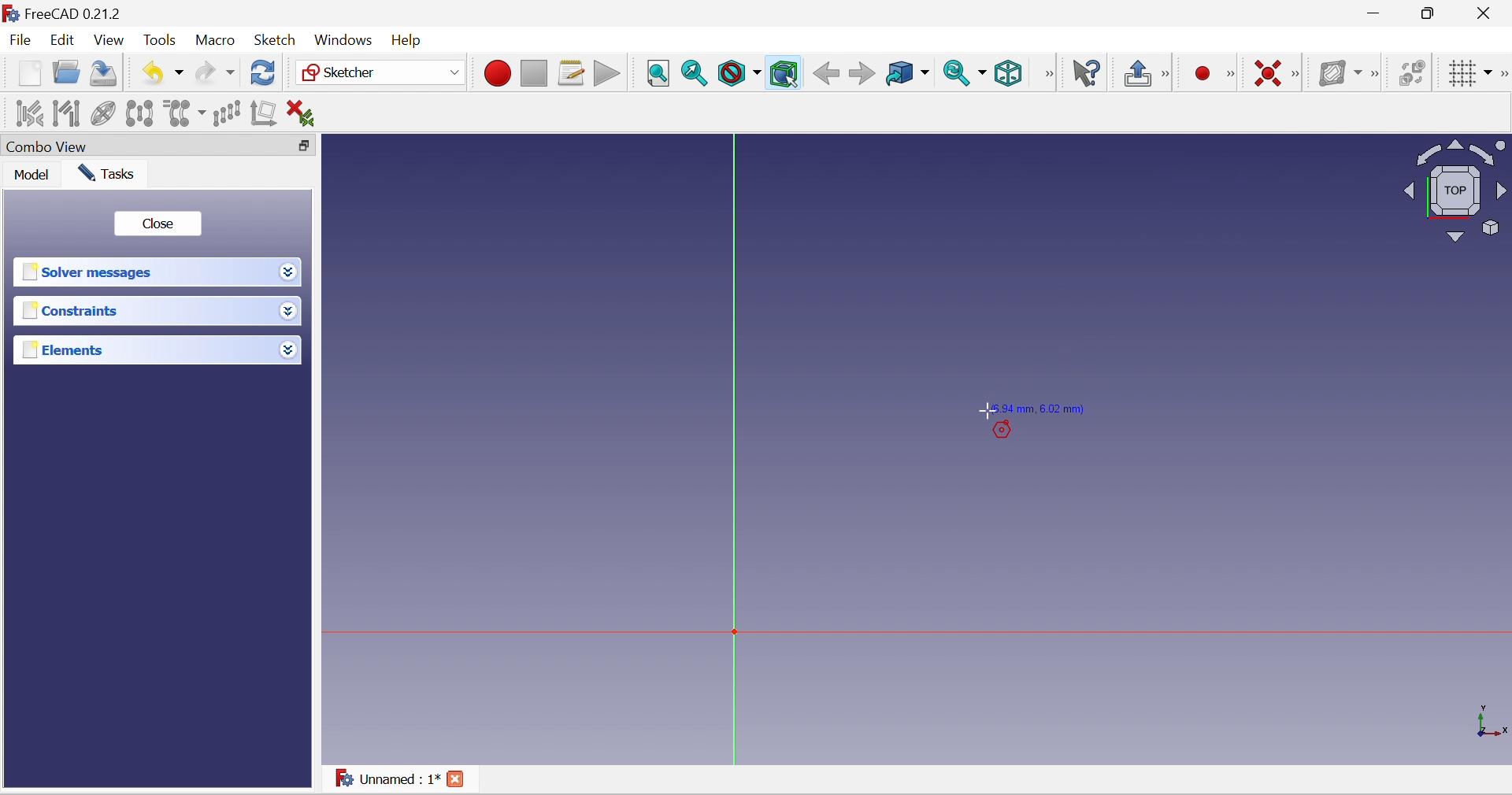 The height and width of the screenshot is (795, 1512). I want to click on Sketcher, so click(381, 72).